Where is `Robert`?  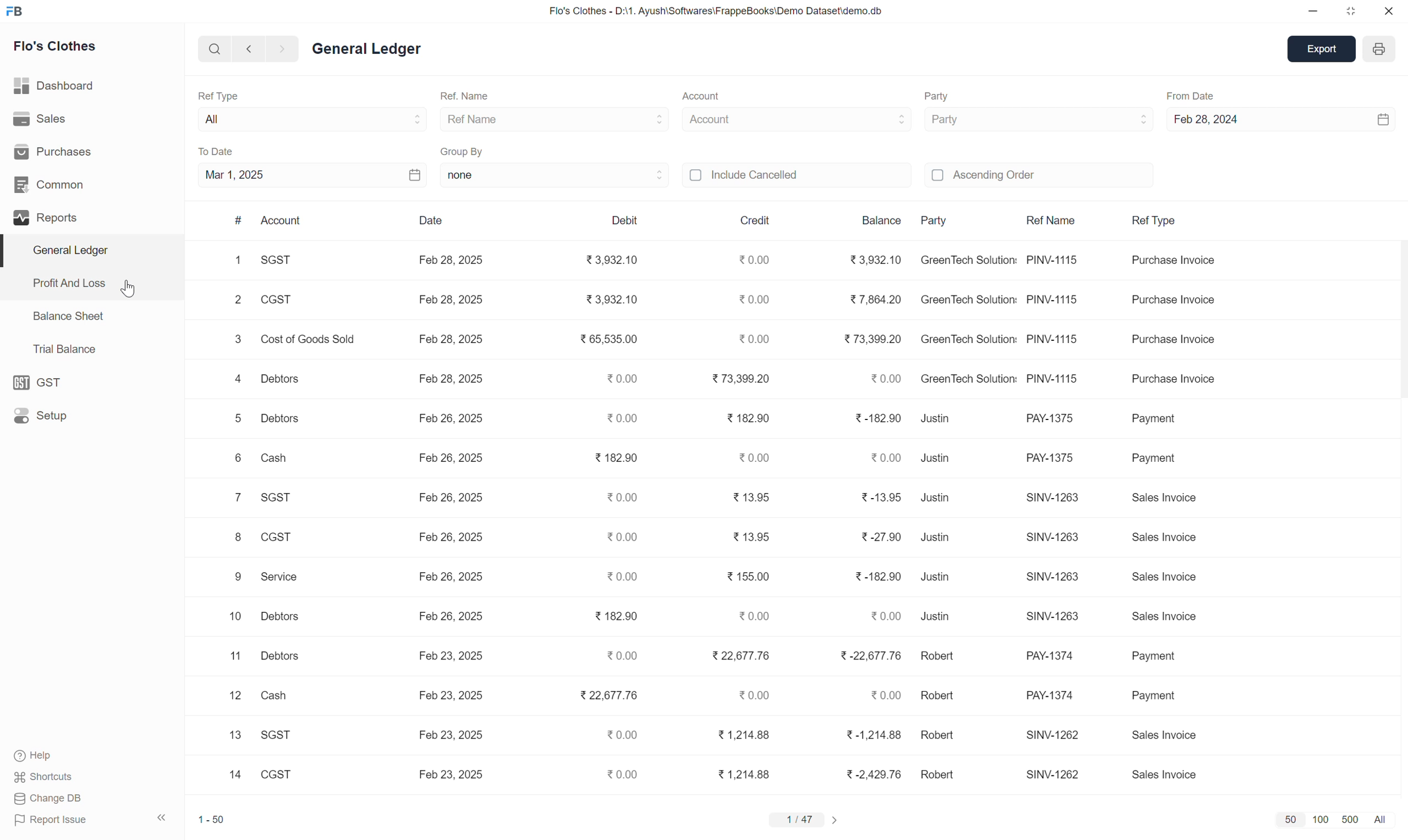 Robert is located at coordinates (947, 659).